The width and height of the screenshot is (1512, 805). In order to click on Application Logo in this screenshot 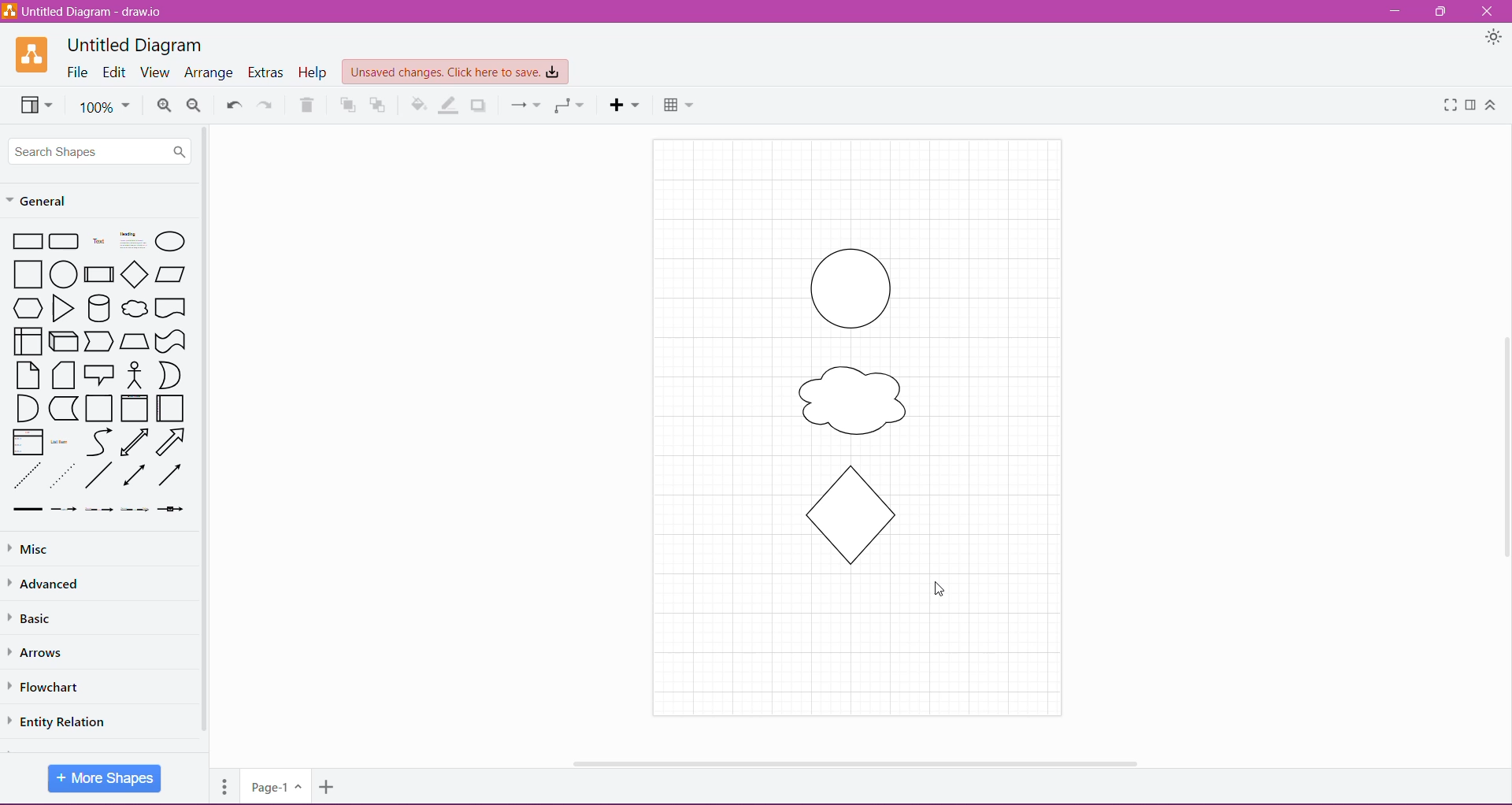, I will do `click(33, 54)`.